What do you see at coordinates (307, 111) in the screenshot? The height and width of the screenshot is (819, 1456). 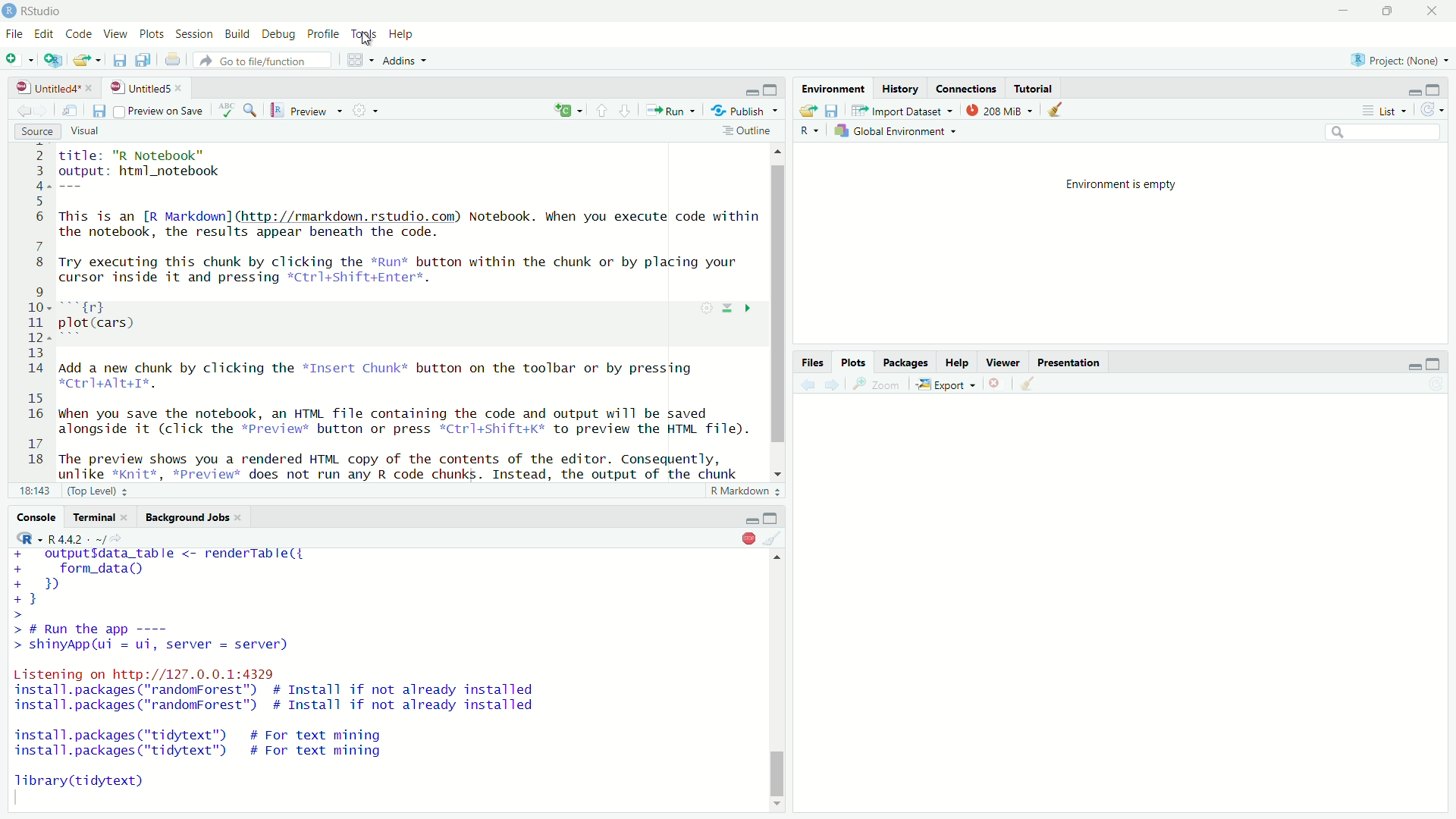 I see `Preview` at bounding box center [307, 111].